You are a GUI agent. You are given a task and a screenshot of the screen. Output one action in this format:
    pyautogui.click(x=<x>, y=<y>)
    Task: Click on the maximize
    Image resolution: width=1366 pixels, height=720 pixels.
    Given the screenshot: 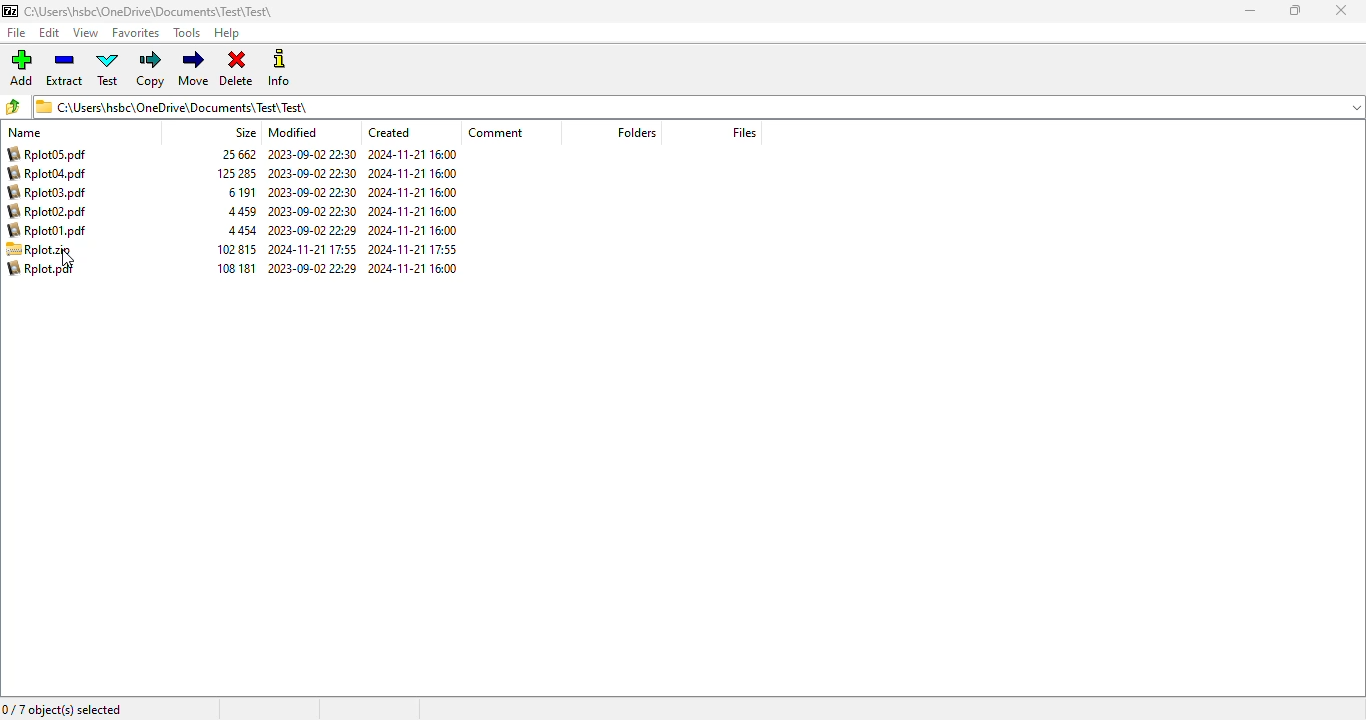 What is the action you would take?
    pyautogui.click(x=1295, y=10)
    